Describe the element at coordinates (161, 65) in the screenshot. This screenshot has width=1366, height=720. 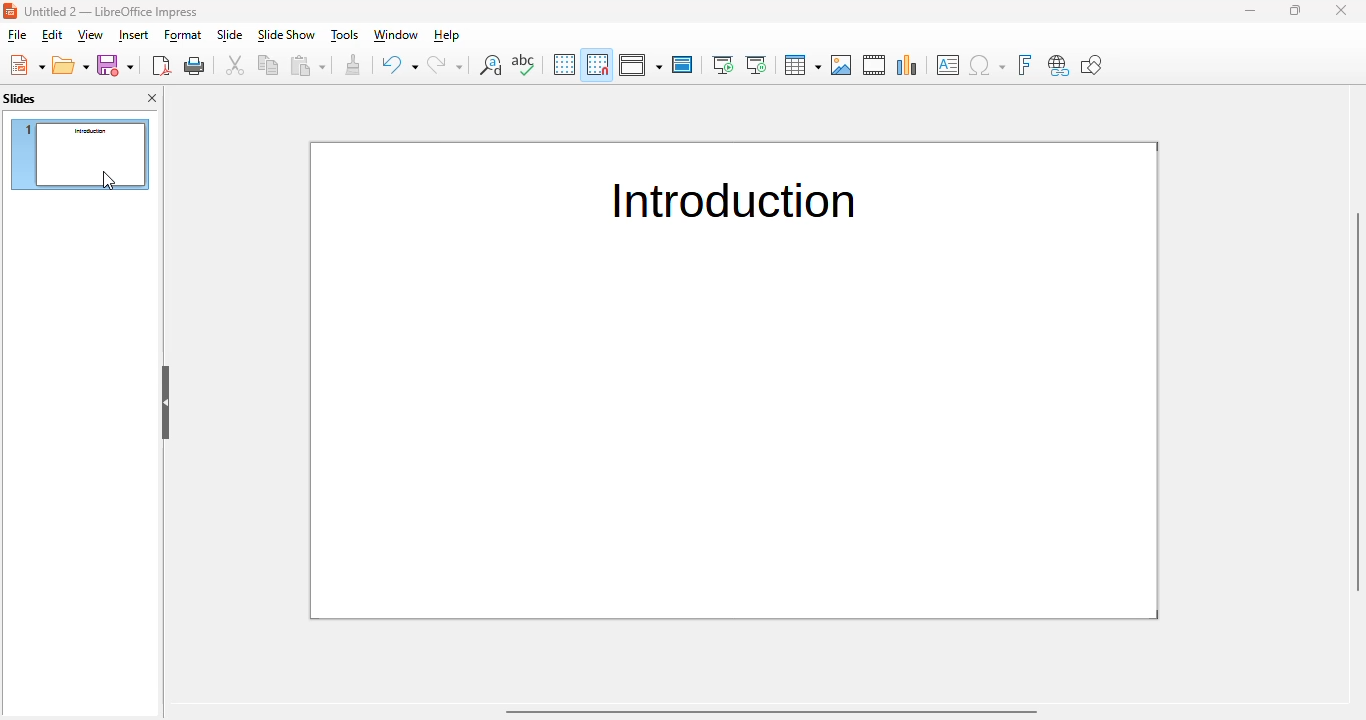
I see `export directly as PDF` at that location.